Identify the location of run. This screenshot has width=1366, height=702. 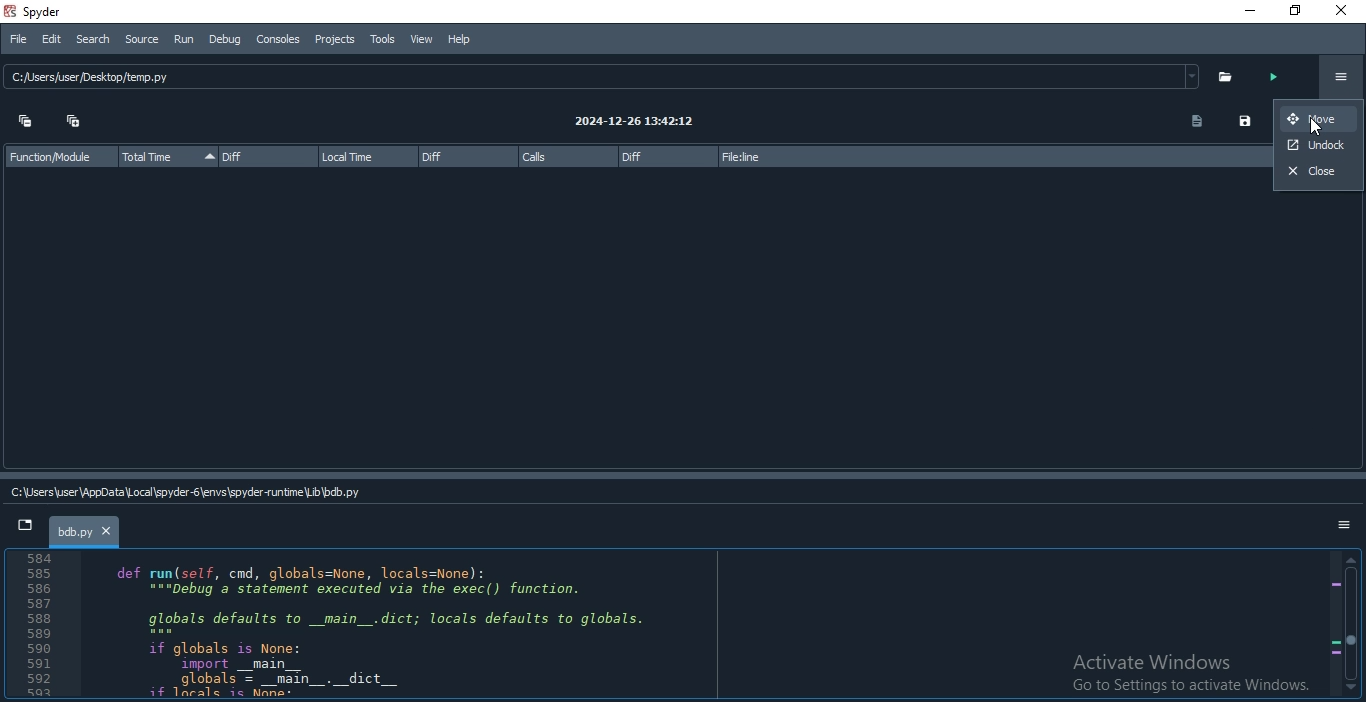
(1281, 75).